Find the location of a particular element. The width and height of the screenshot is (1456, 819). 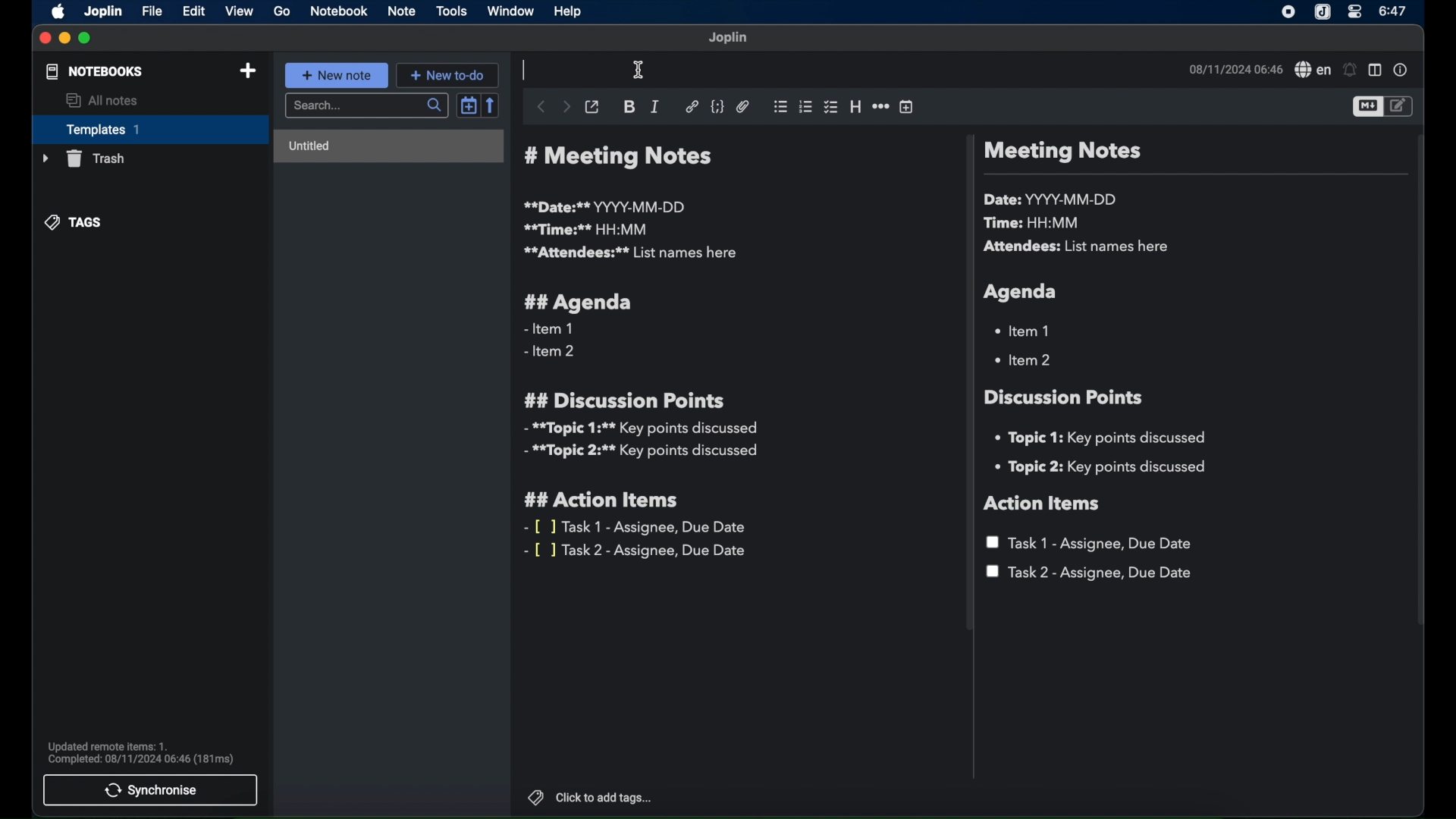

click to add tags is located at coordinates (591, 798).